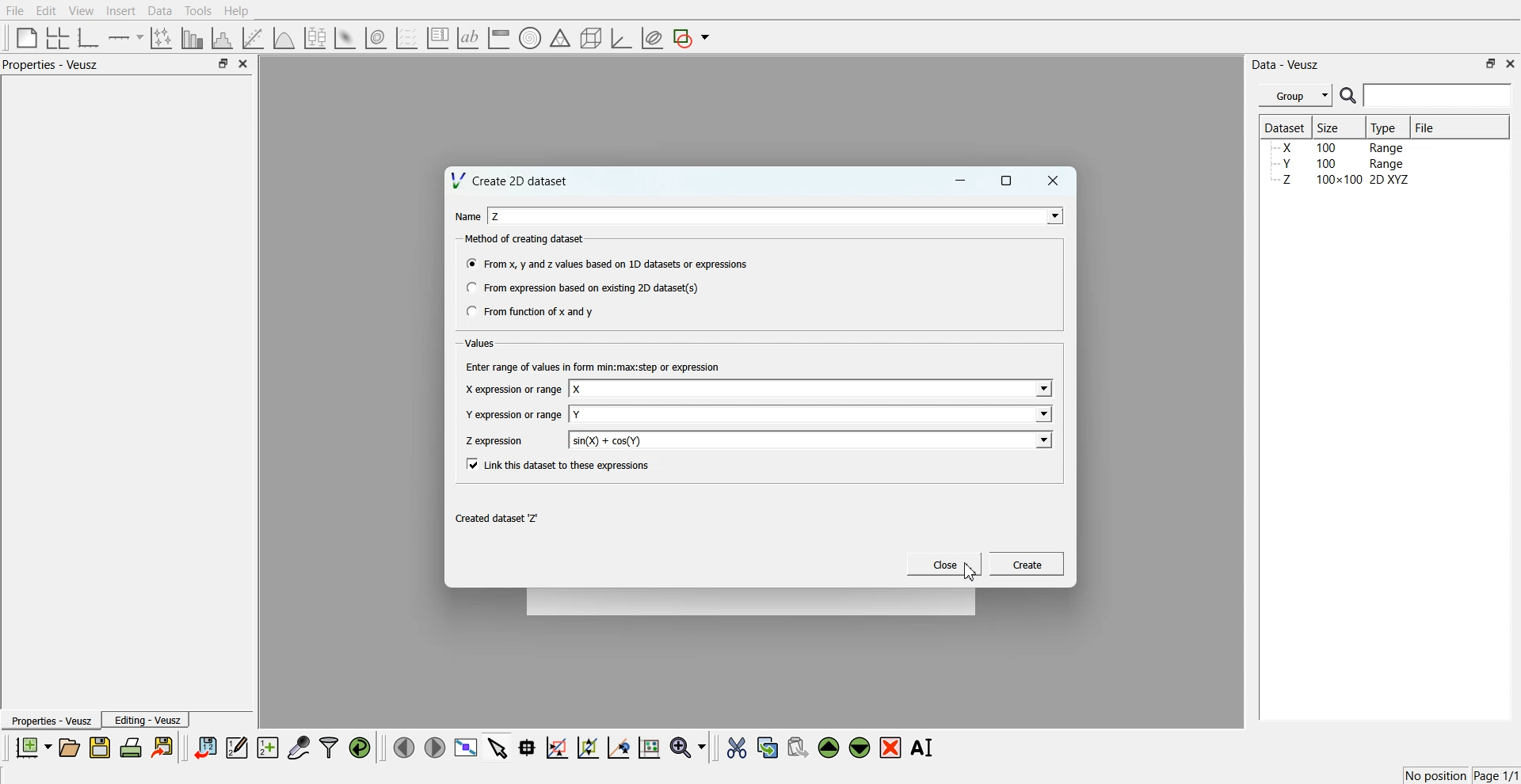 Image resolution: width=1521 pixels, height=784 pixels. I want to click on ~~ Enter range of values in form min:max:step or expression, so click(593, 366).